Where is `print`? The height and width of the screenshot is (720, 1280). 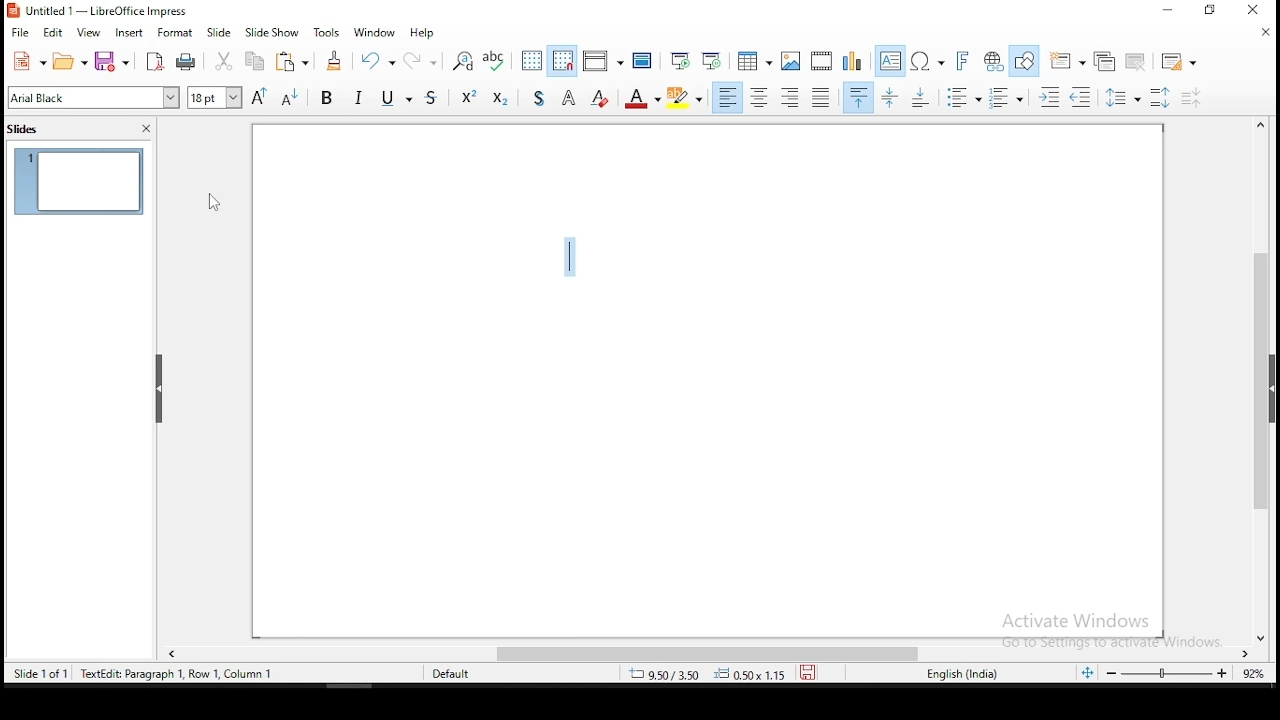
print is located at coordinates (186, 63).